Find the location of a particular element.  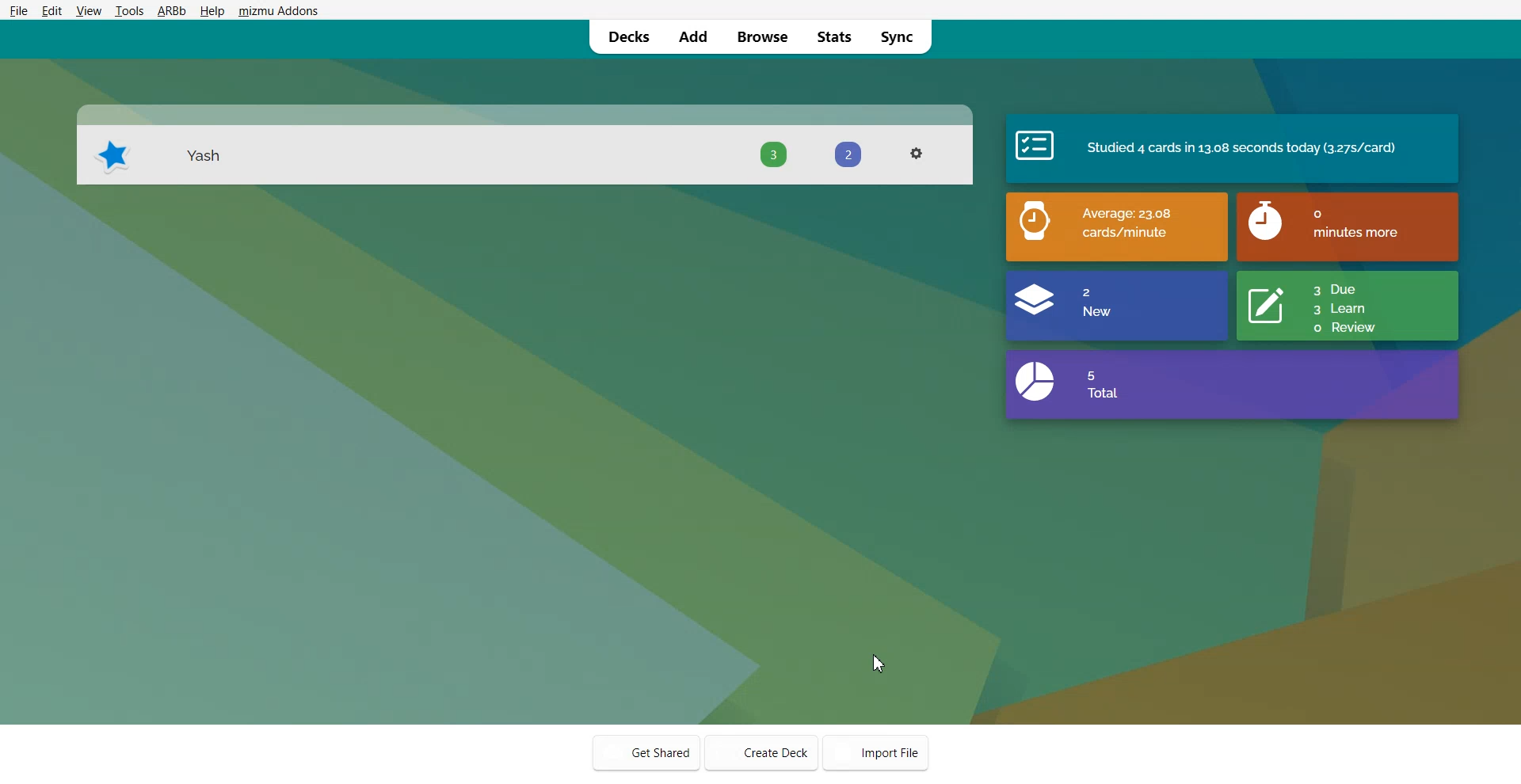

ARBb is located at coordinates (171, 10).